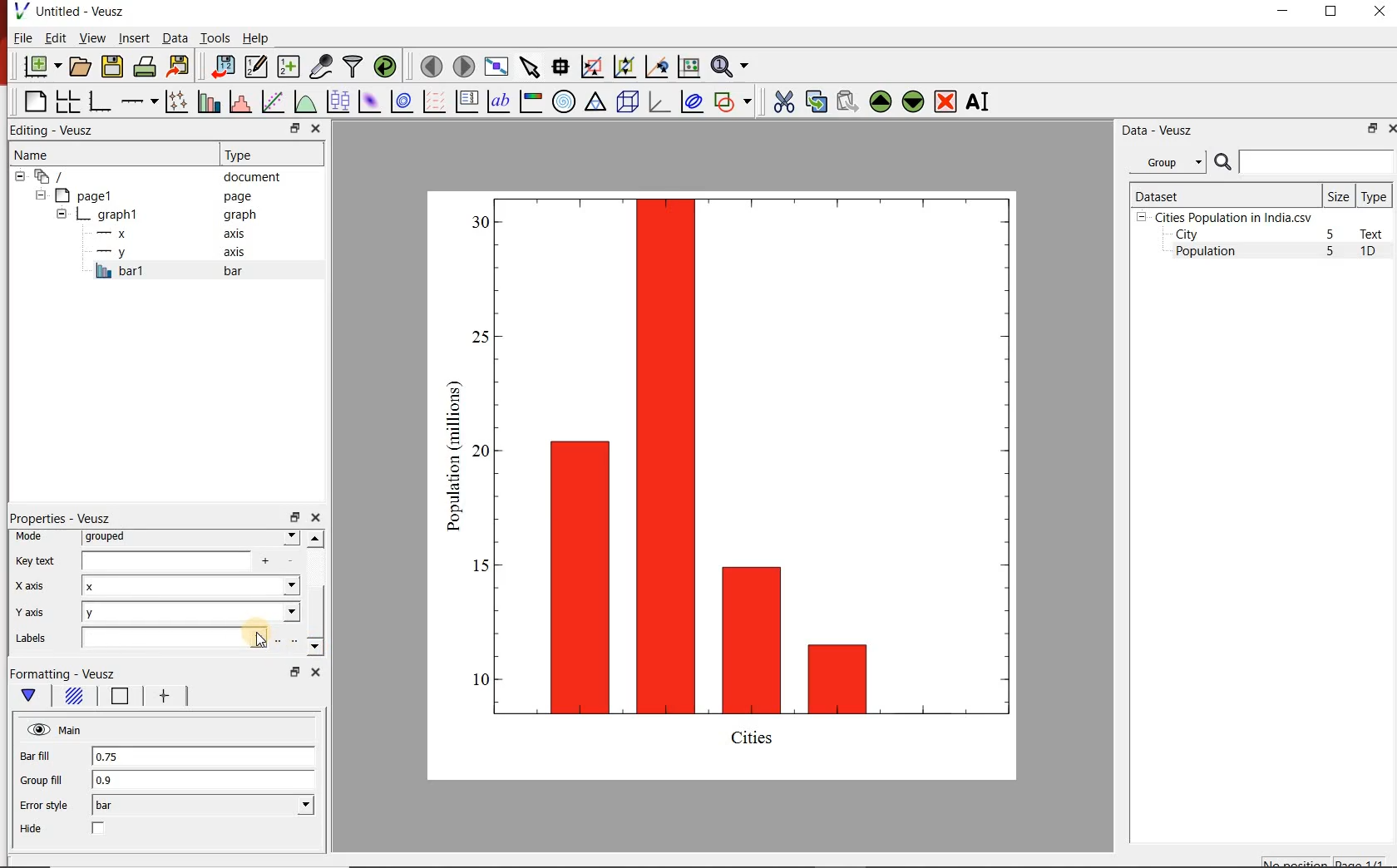 The image size is (1397, 868). What do you see at coordinates (337, 101) in the screenshot?
I see `plot box plots` at bounding box center [337, 101].